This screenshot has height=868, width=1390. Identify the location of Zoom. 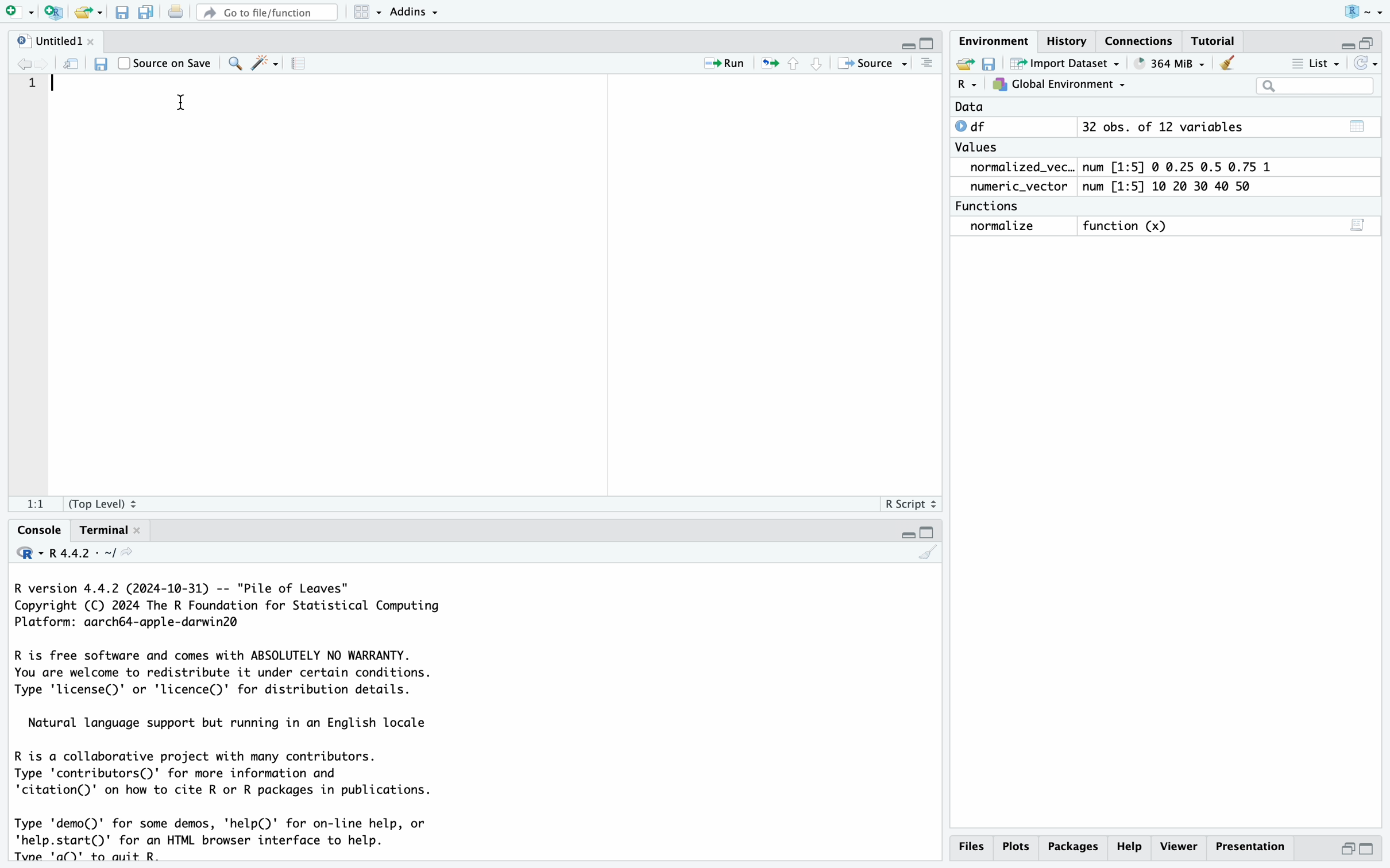
(233, 62).